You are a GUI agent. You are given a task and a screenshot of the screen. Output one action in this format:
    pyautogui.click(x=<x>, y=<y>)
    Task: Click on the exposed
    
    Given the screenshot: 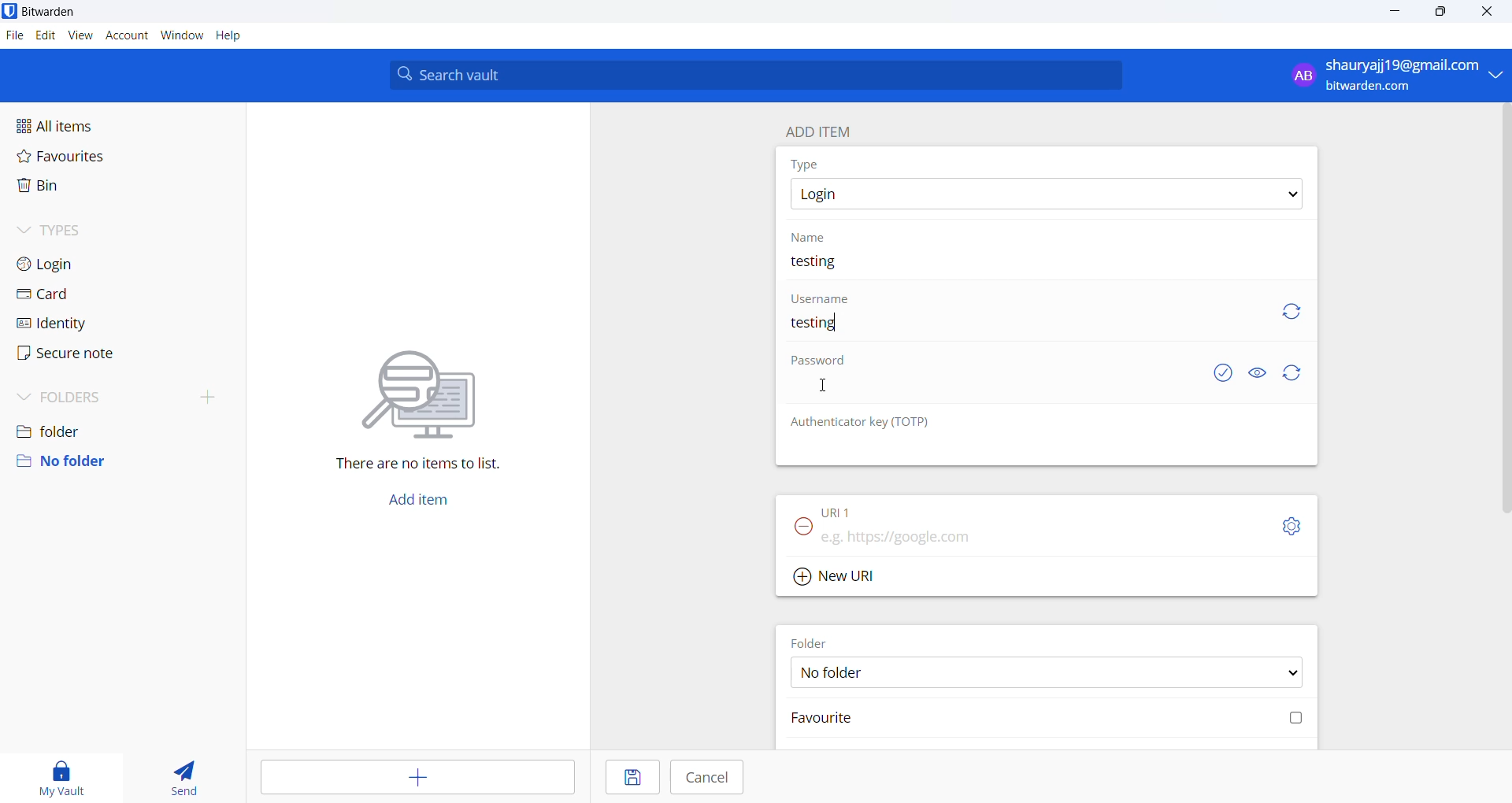 What is the action you would take?
    pyautogui.click(x=1223, y=371)
    